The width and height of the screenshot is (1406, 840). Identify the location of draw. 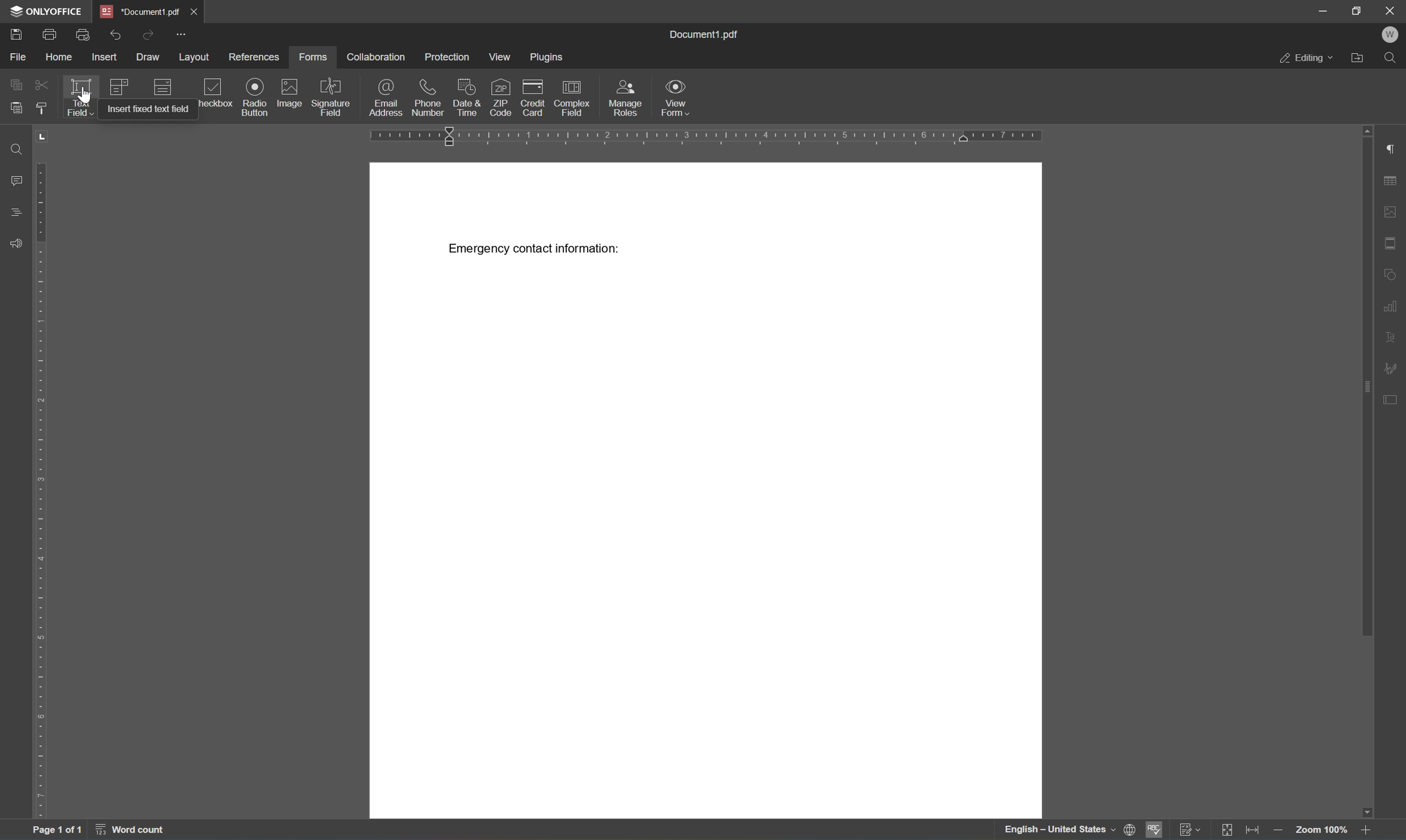
(147, 55).